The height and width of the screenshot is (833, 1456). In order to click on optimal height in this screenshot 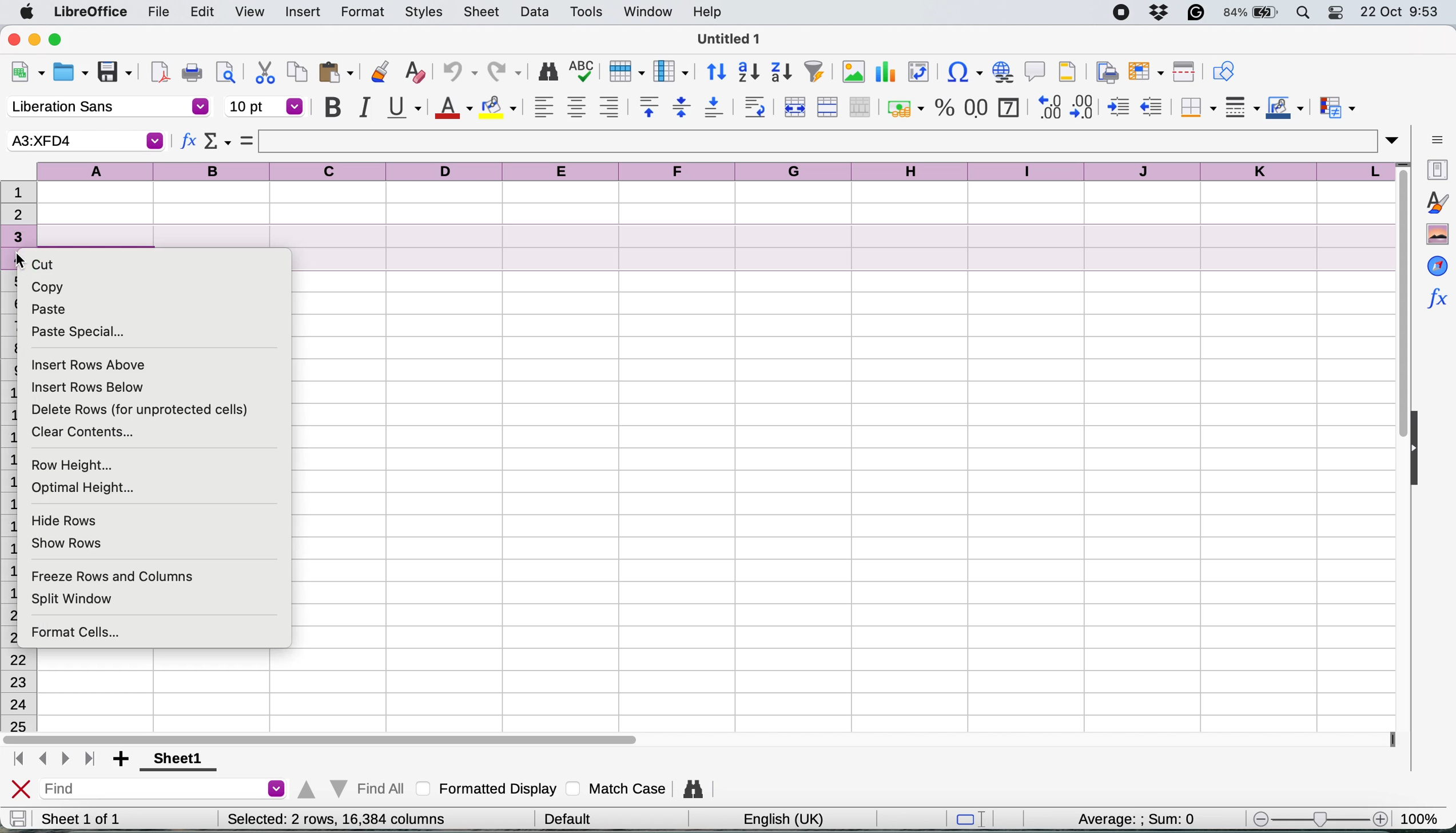, I will do `click(86, 489)`.